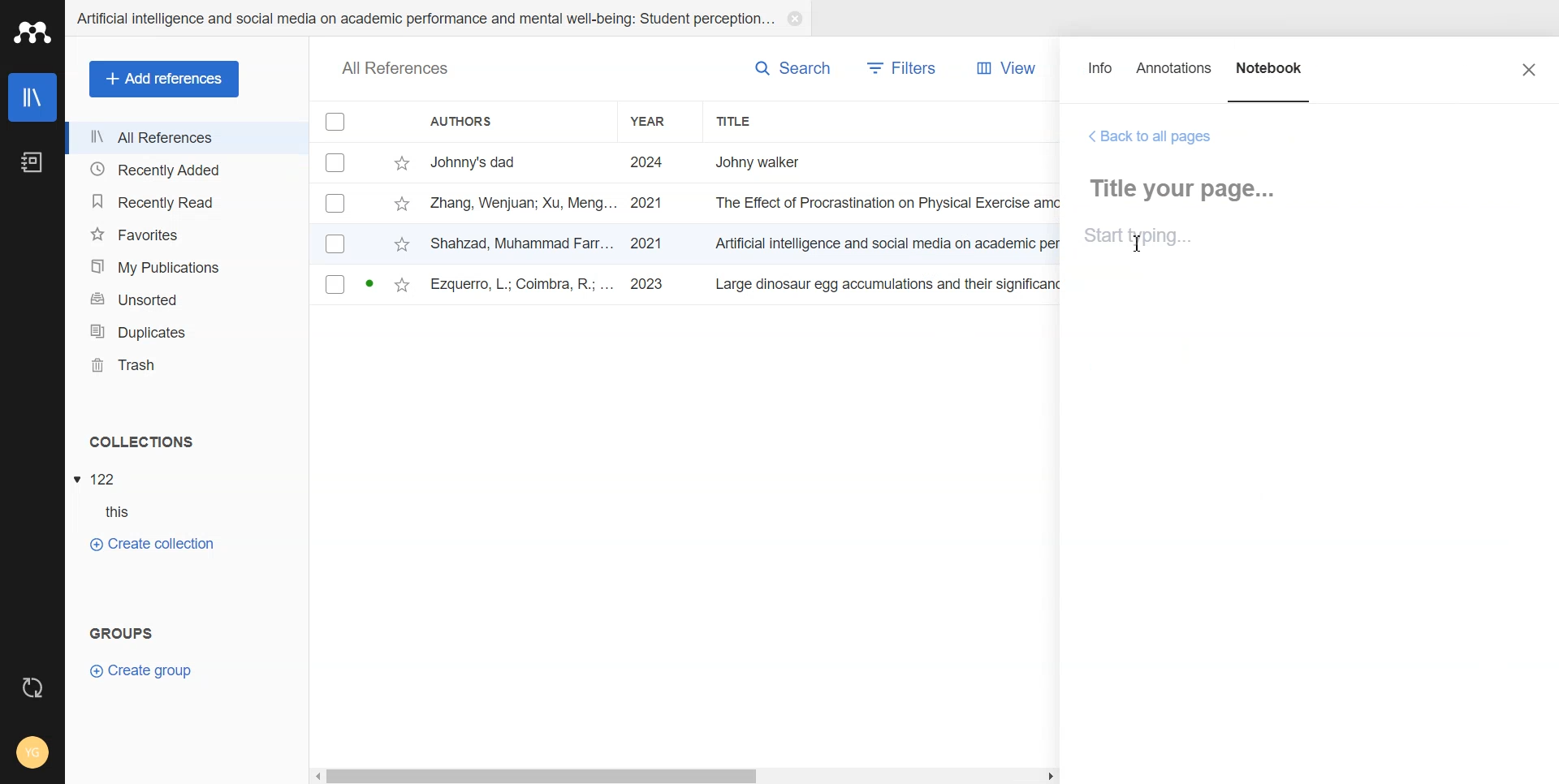 The width and height of the screenshot is (1559, 784). I want to click on Filters, so click(903, 68).